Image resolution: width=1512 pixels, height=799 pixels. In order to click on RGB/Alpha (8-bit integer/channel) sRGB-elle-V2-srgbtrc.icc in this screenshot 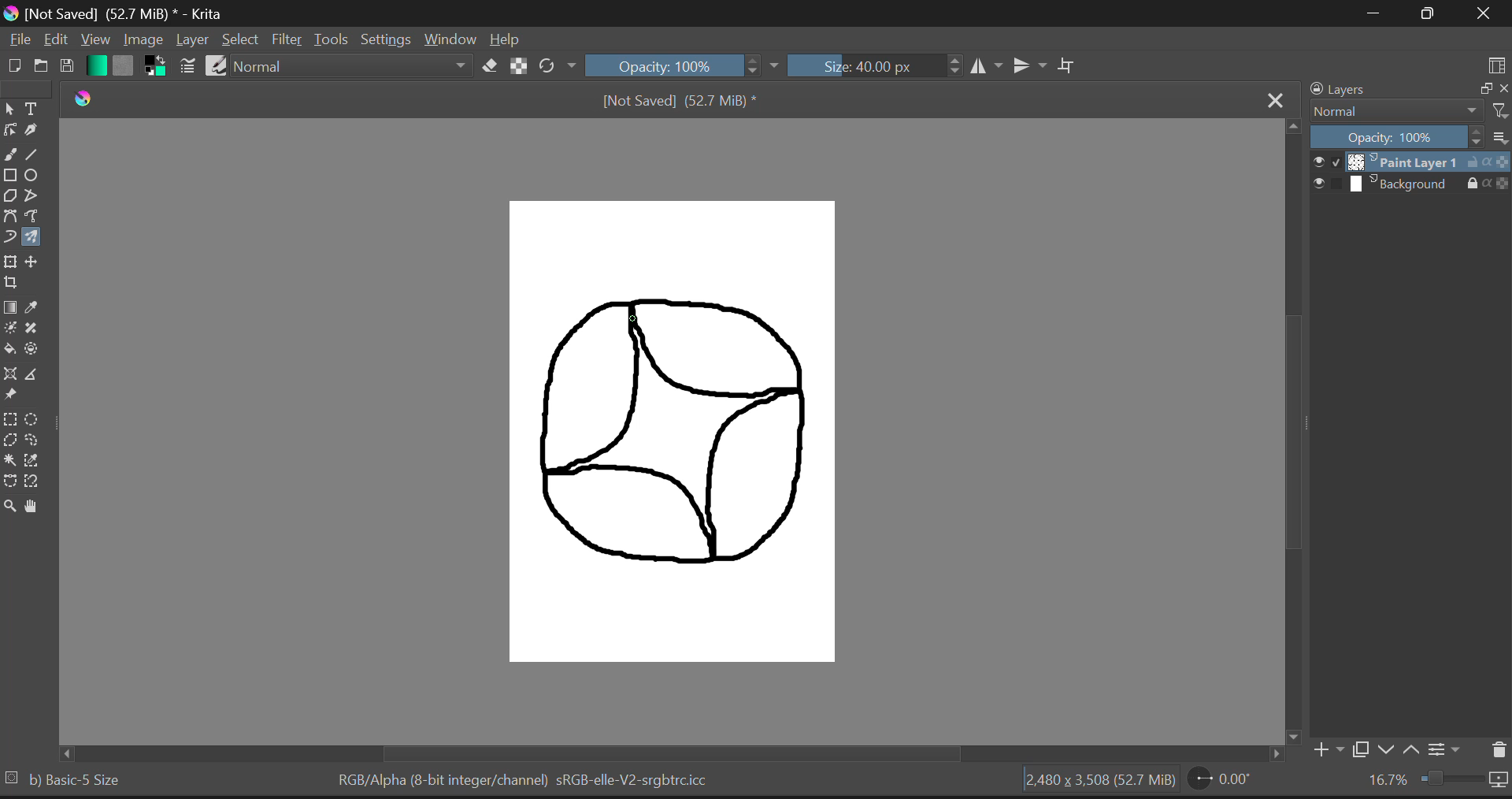, I will do `click(525, 779)`.